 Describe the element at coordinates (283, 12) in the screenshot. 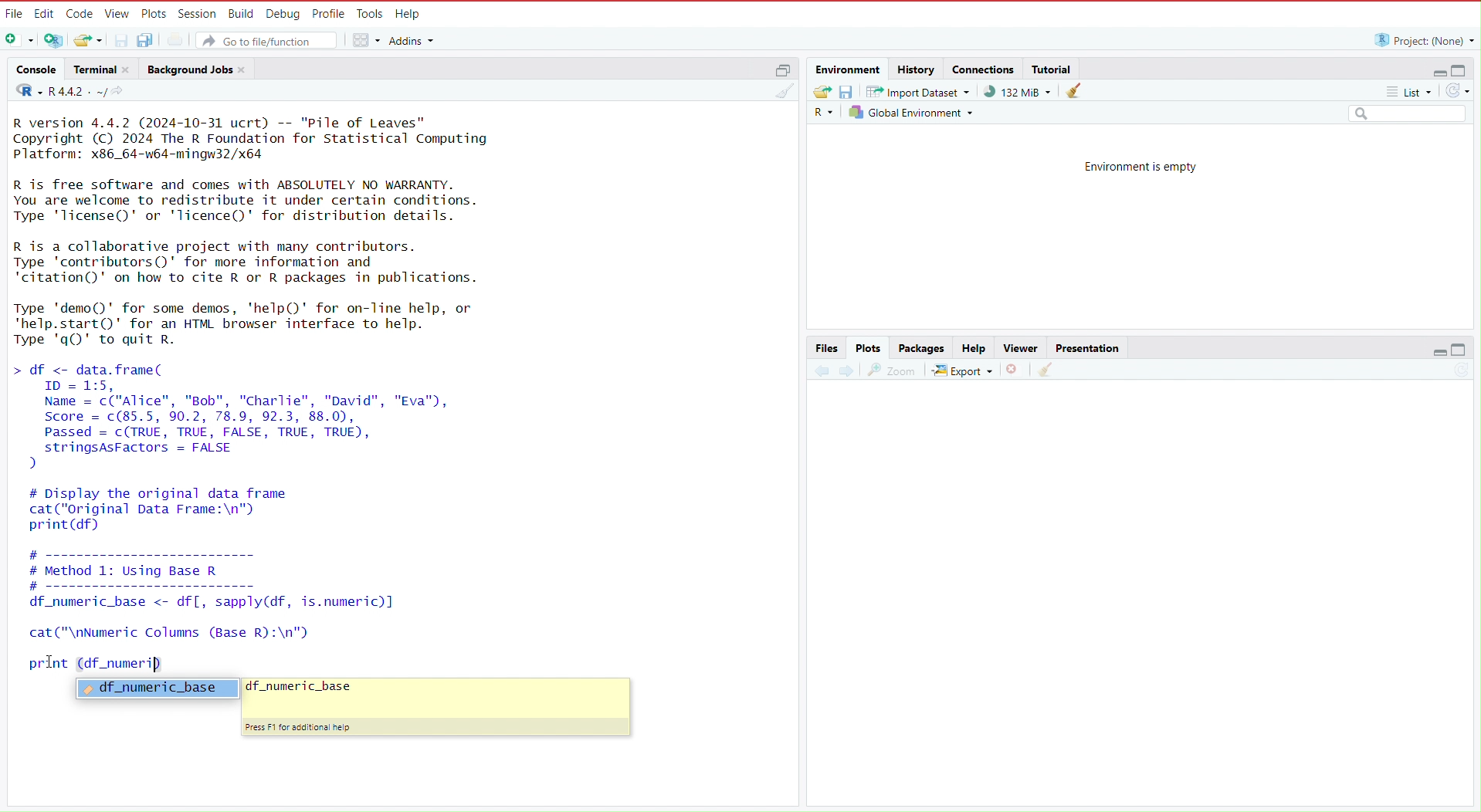

I see `Debug` at that location.